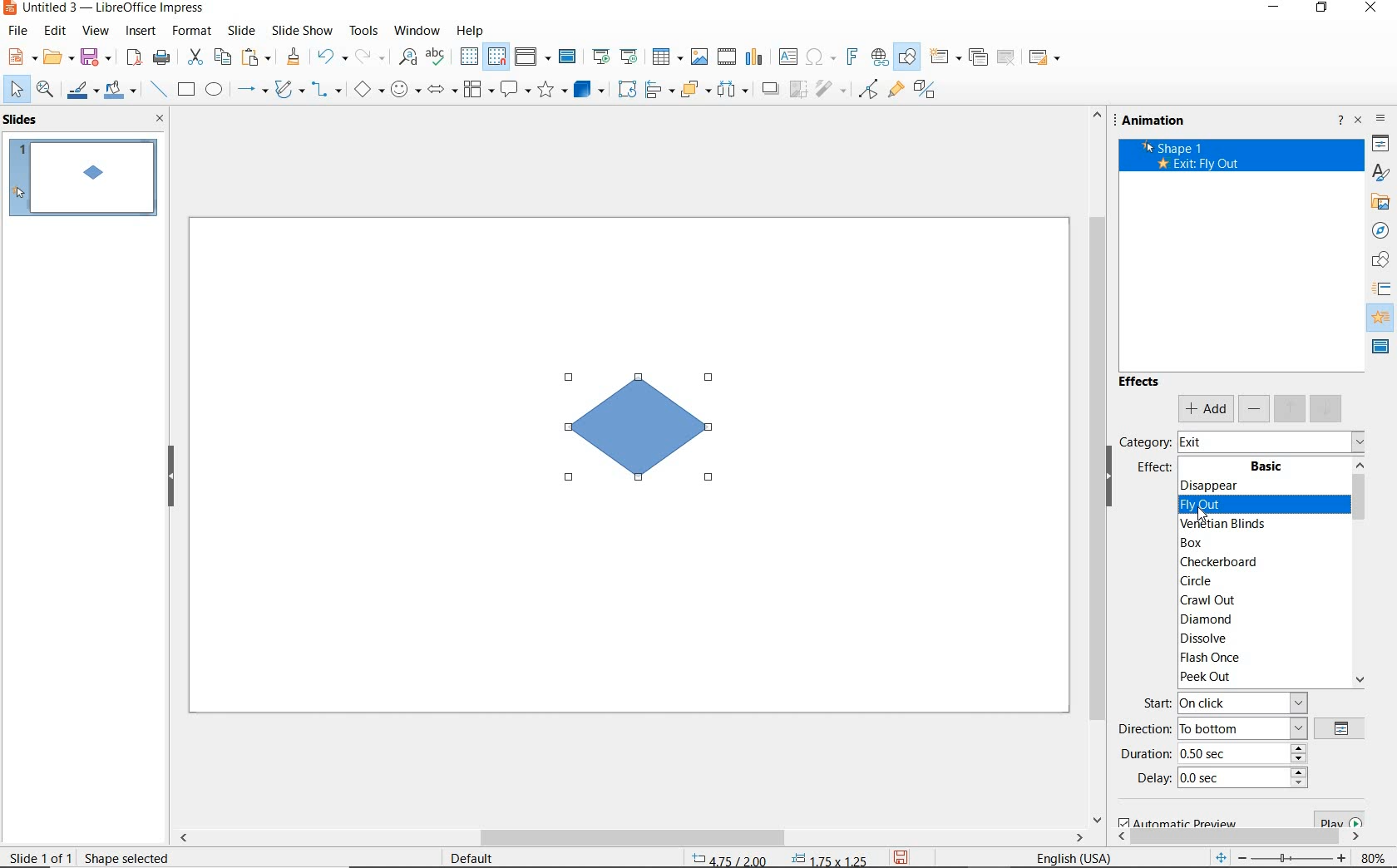 The height and width of the screenshot is (868, 1397). I want to click on category, so click(1145, 441).